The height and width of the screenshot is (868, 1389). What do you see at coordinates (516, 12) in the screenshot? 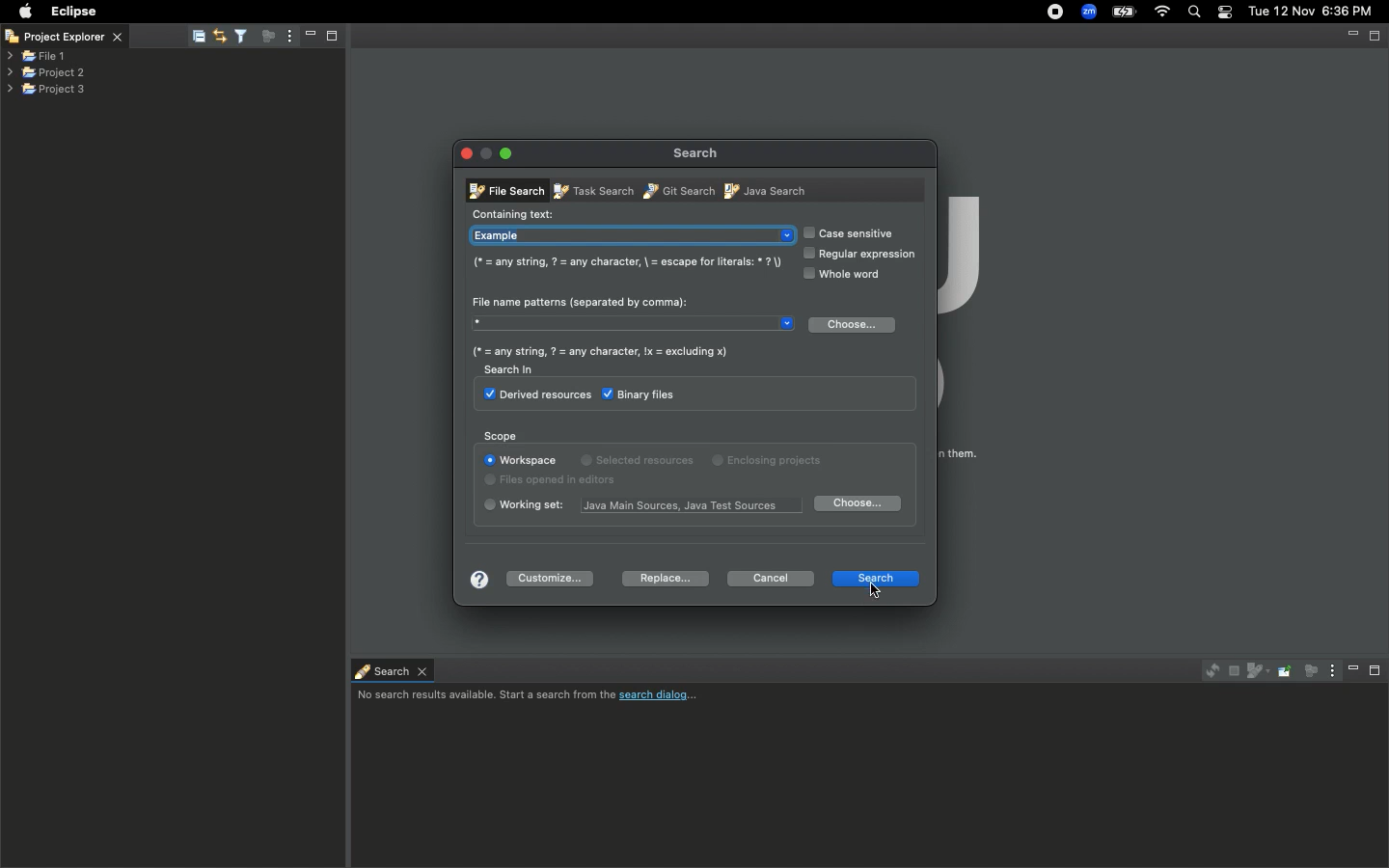
I see `Help` at bounding box center [516, 12].